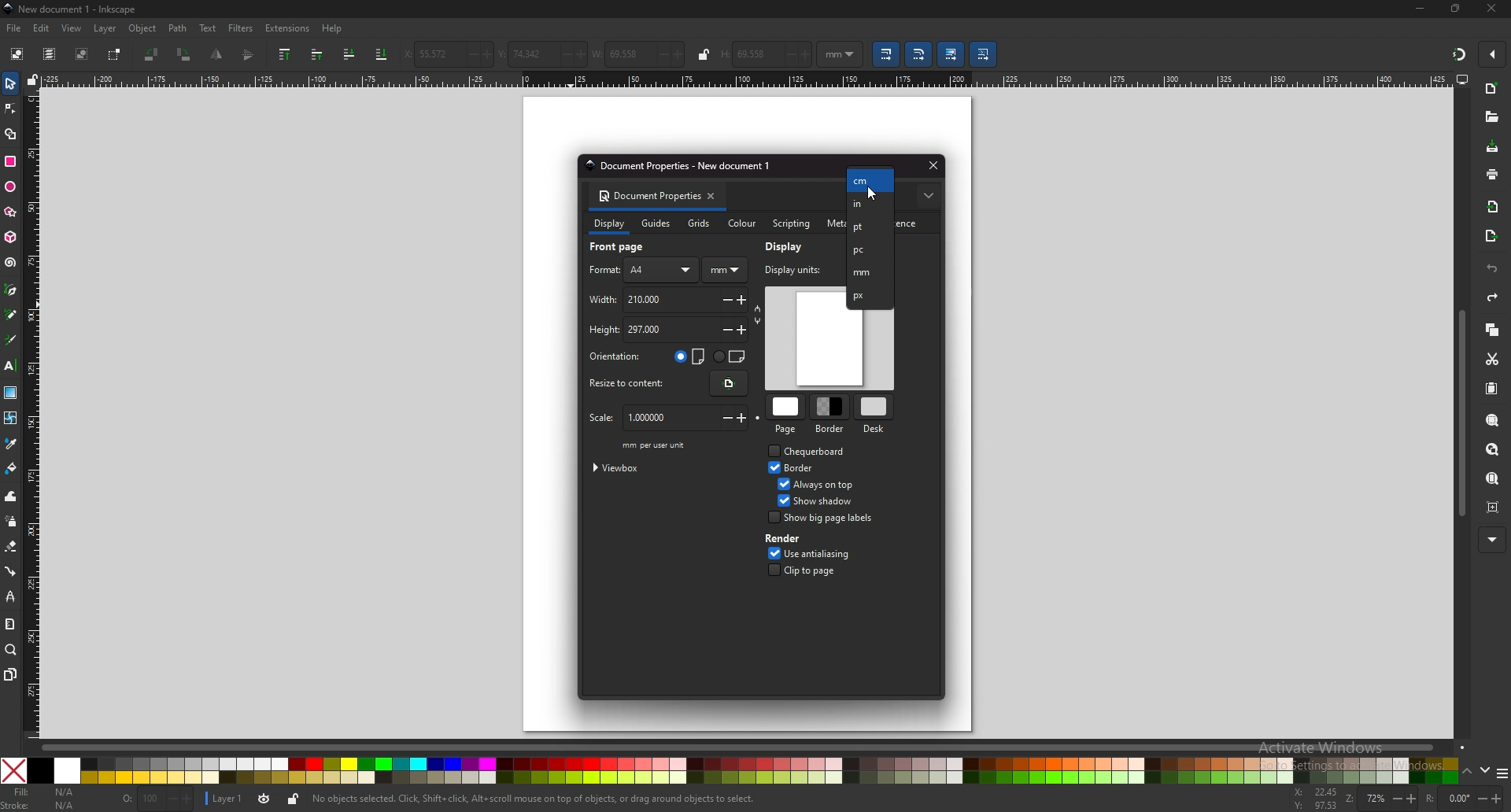 The height and width of the screenshot is (812, 1511). Describe the element at coordinates (74, 28) in the screenshot. I see `view` at that location.